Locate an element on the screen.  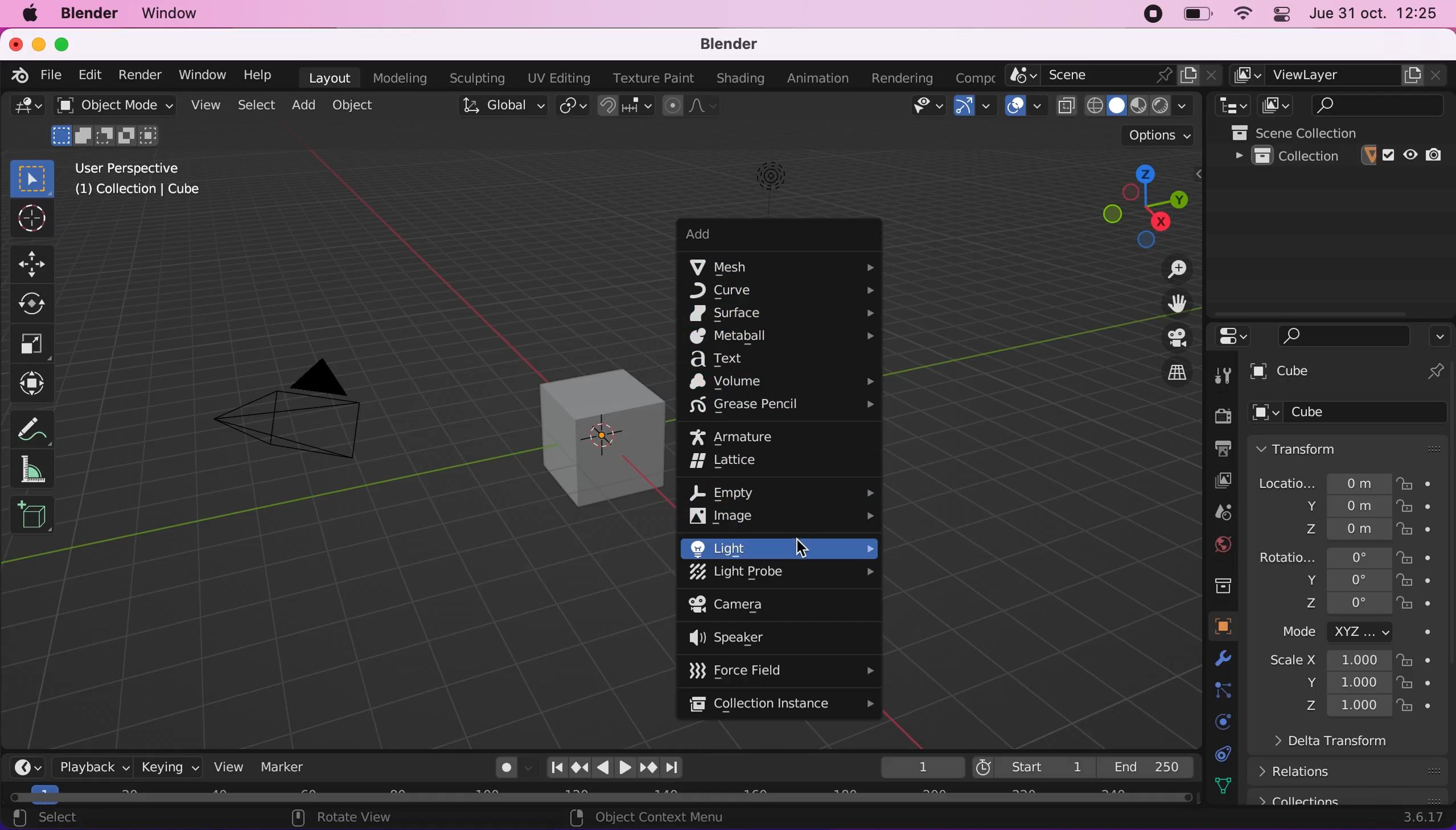
lock is located at coordinates (1427, 582).